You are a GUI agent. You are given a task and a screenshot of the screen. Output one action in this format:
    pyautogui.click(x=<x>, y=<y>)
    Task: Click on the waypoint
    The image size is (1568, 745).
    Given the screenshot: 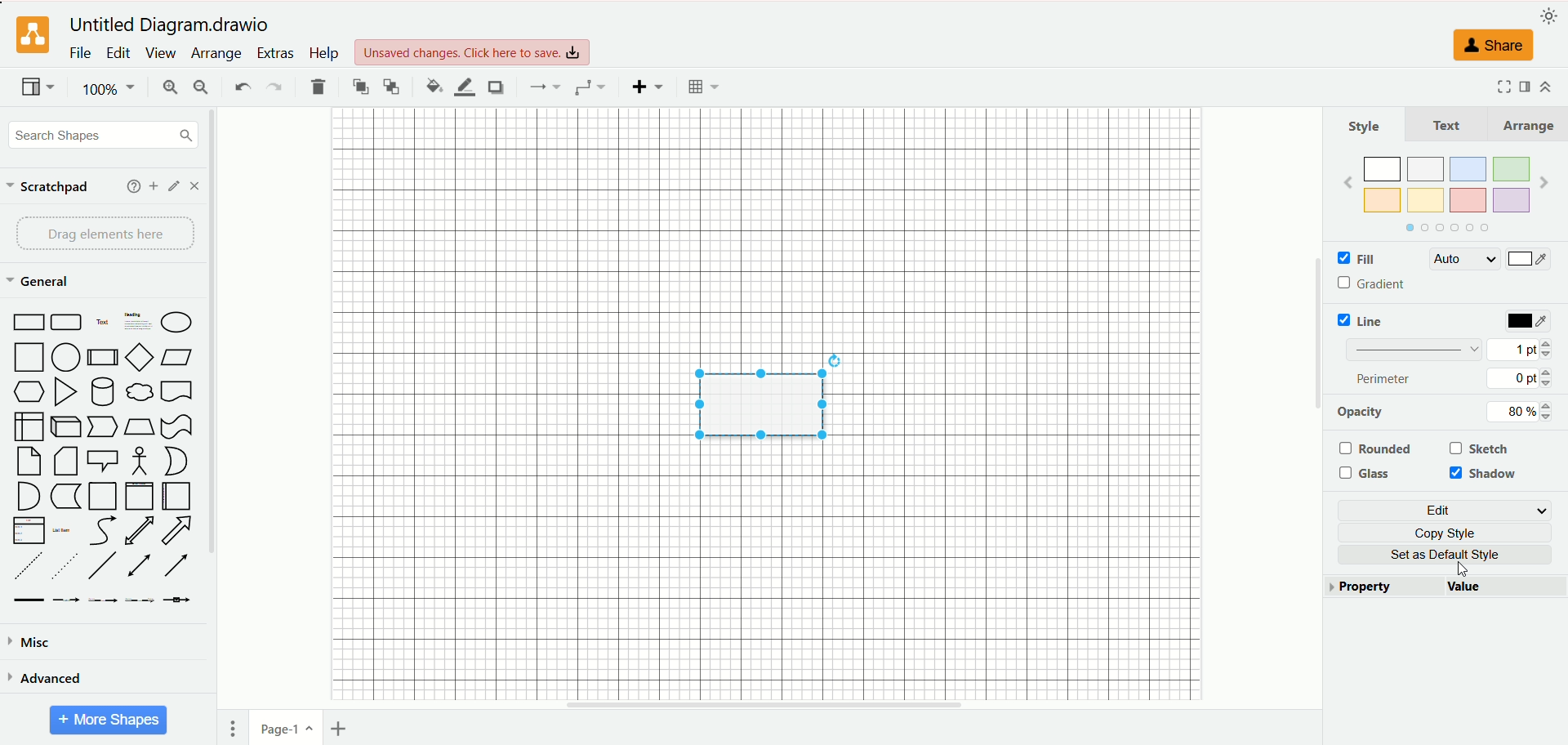 What is the action you would take?
    pyautogui.click(x=590, y=87)
    